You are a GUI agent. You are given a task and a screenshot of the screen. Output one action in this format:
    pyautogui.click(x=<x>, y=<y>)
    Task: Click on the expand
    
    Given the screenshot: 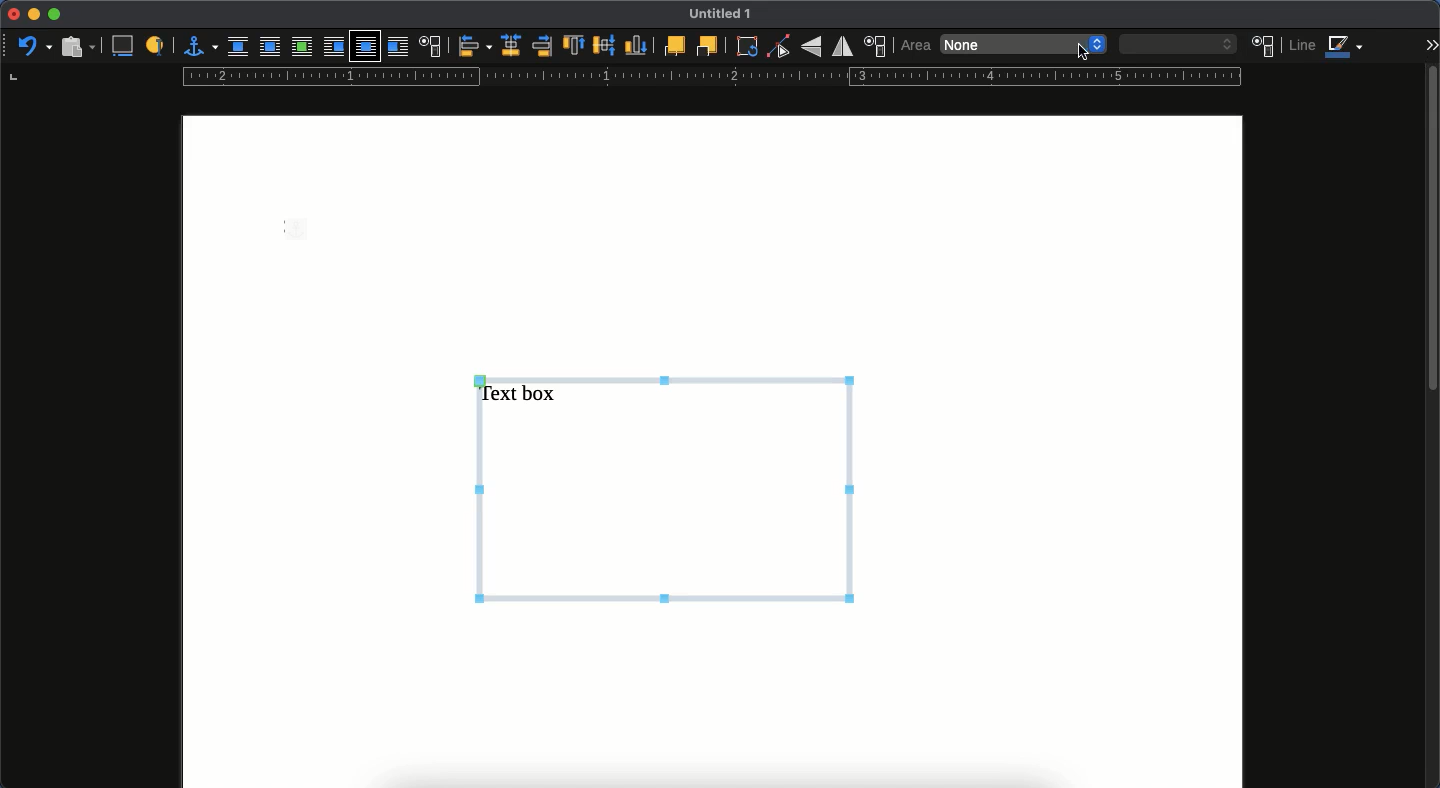 What is the action you would take?
    pyautogui.click(x=1431, y=44)
    